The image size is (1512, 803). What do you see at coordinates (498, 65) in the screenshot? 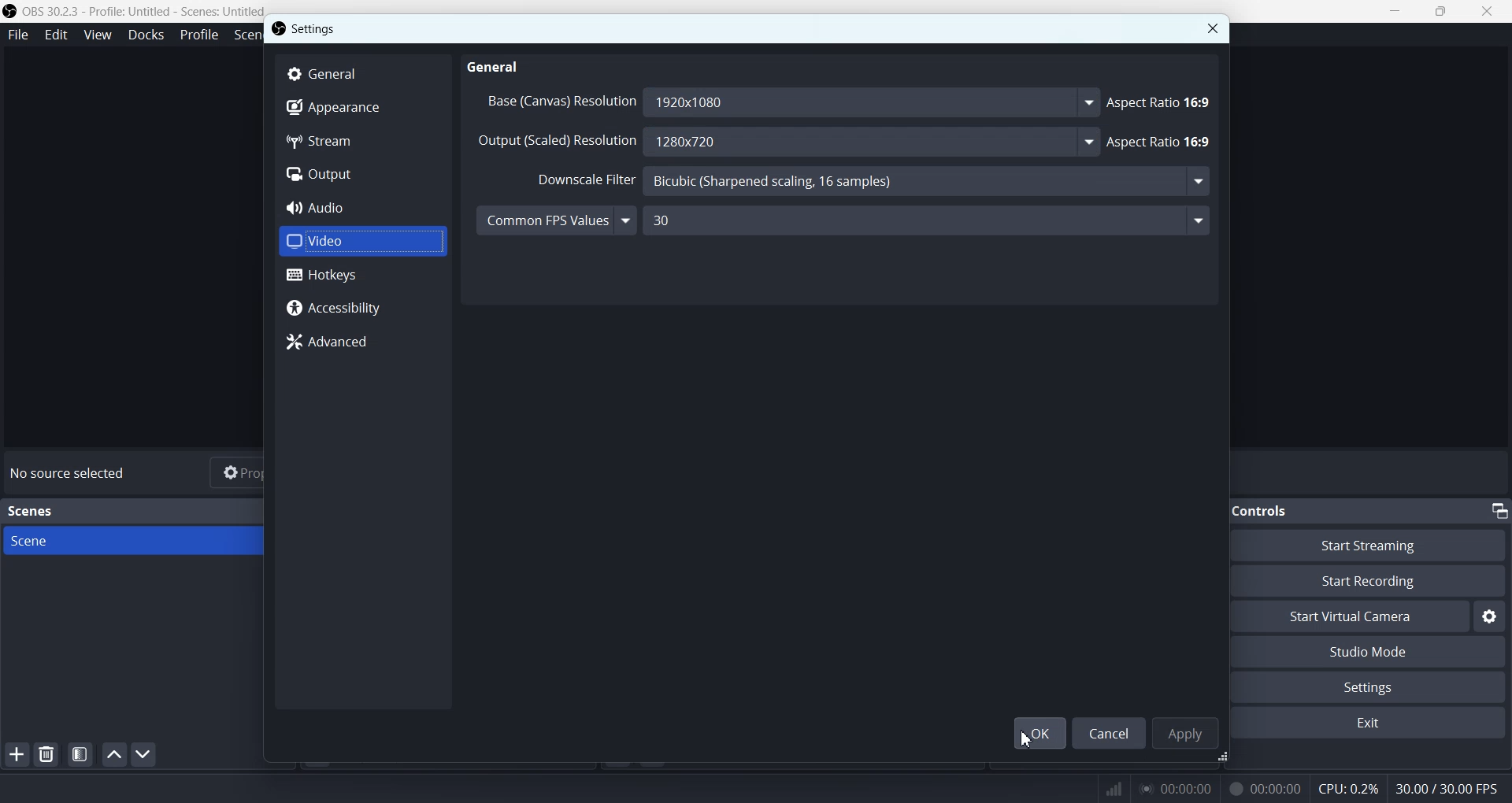
I see `General` at bounding box center [498, 65].